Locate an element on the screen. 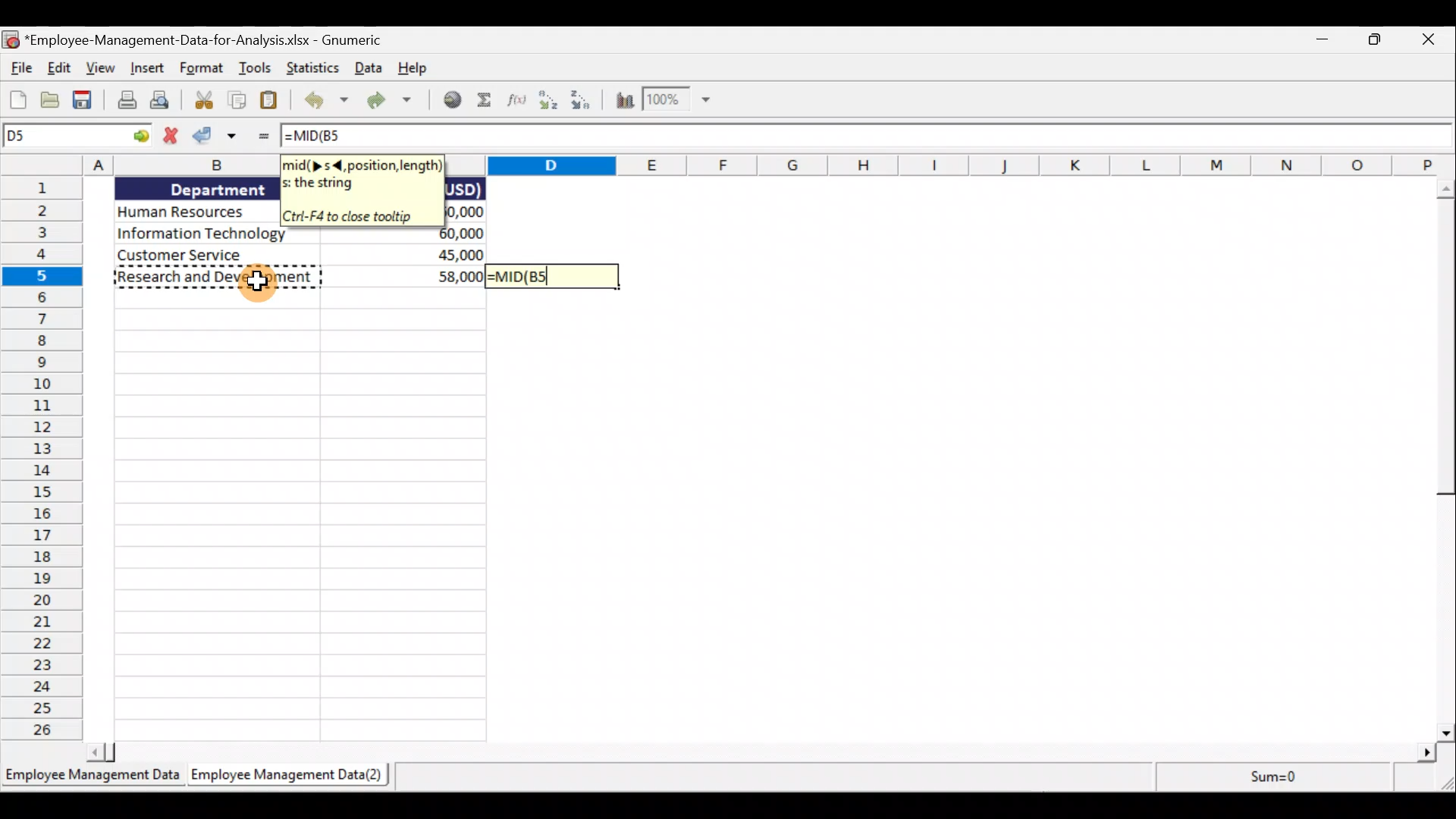 The image size is (1456, 819). columns is located at coordinates (945, 165).